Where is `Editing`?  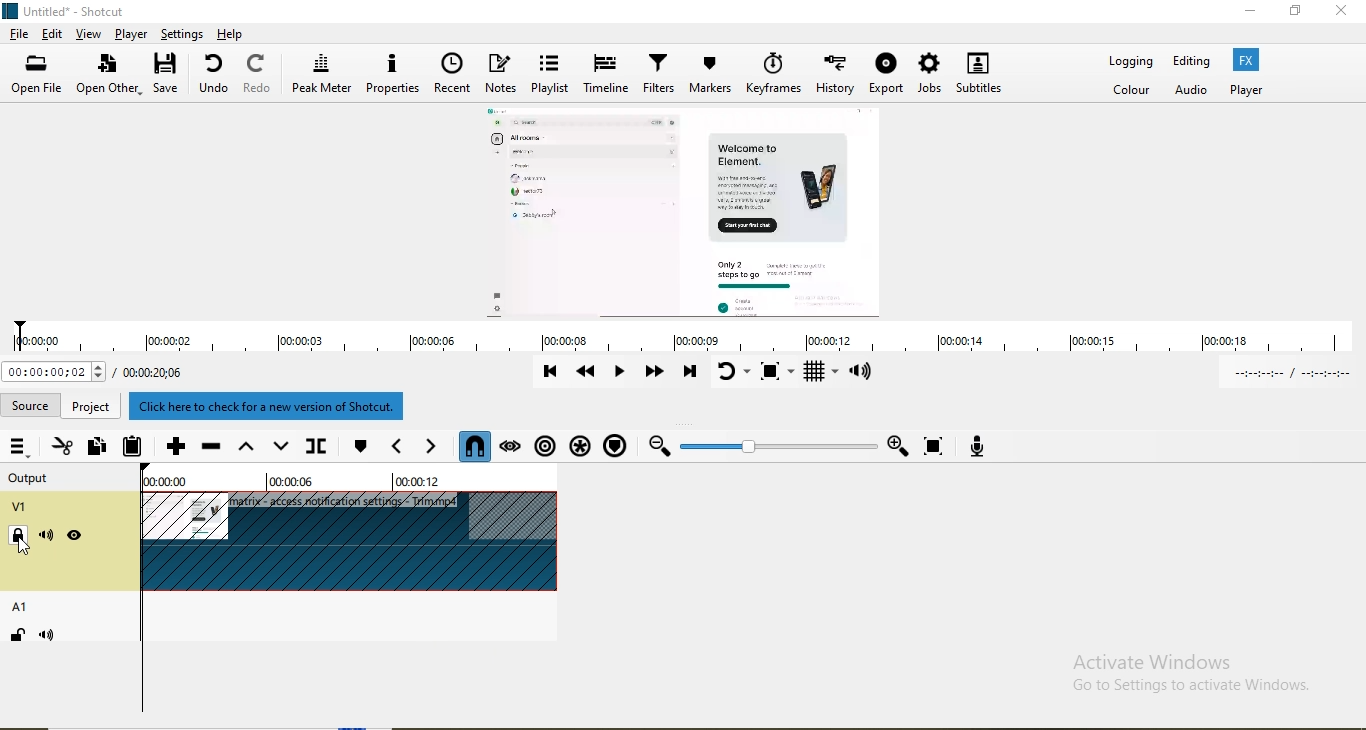
Editing is located at coordinates (1195, 61).